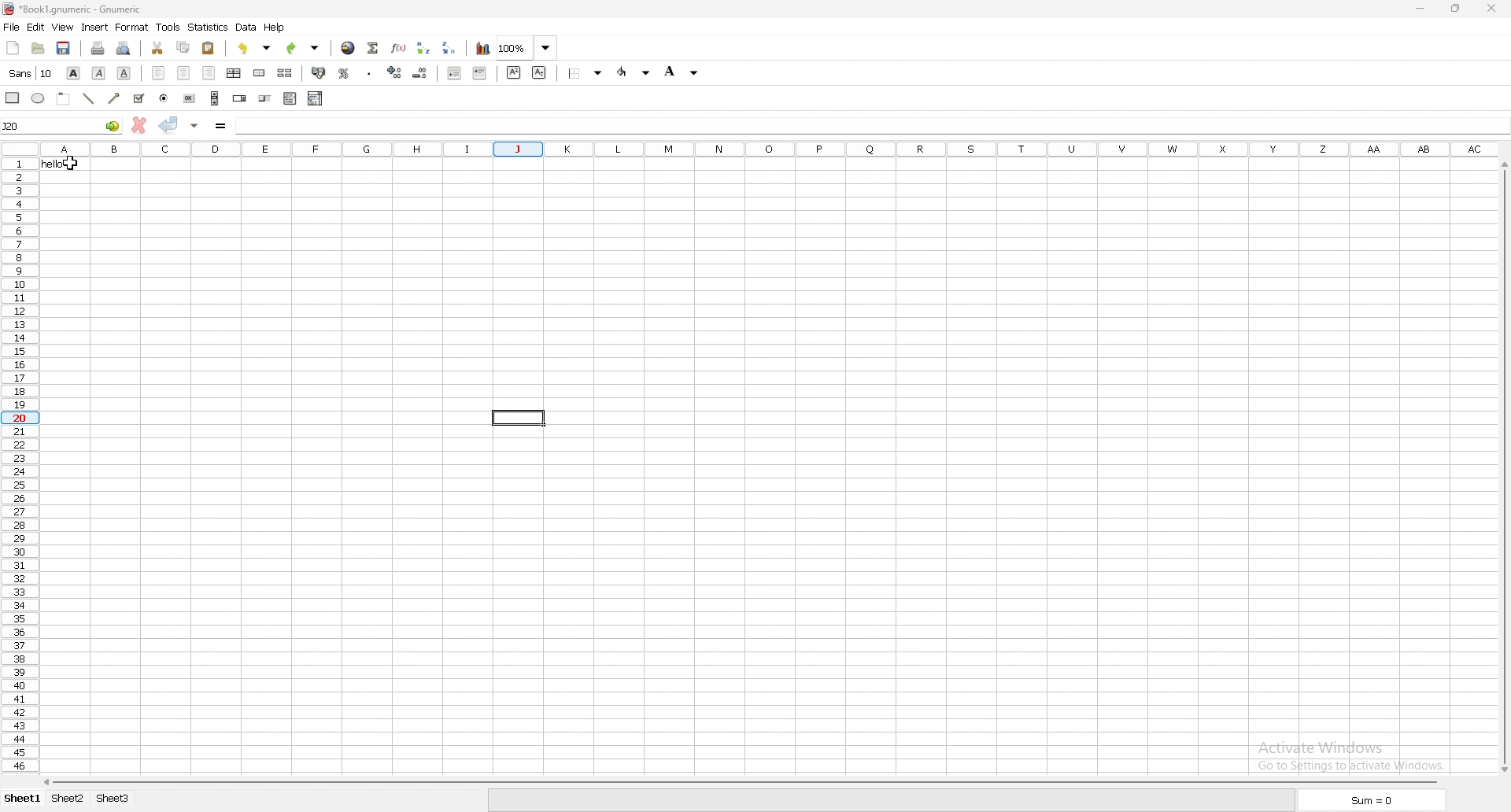  I want to click on file, so click(12, 27).